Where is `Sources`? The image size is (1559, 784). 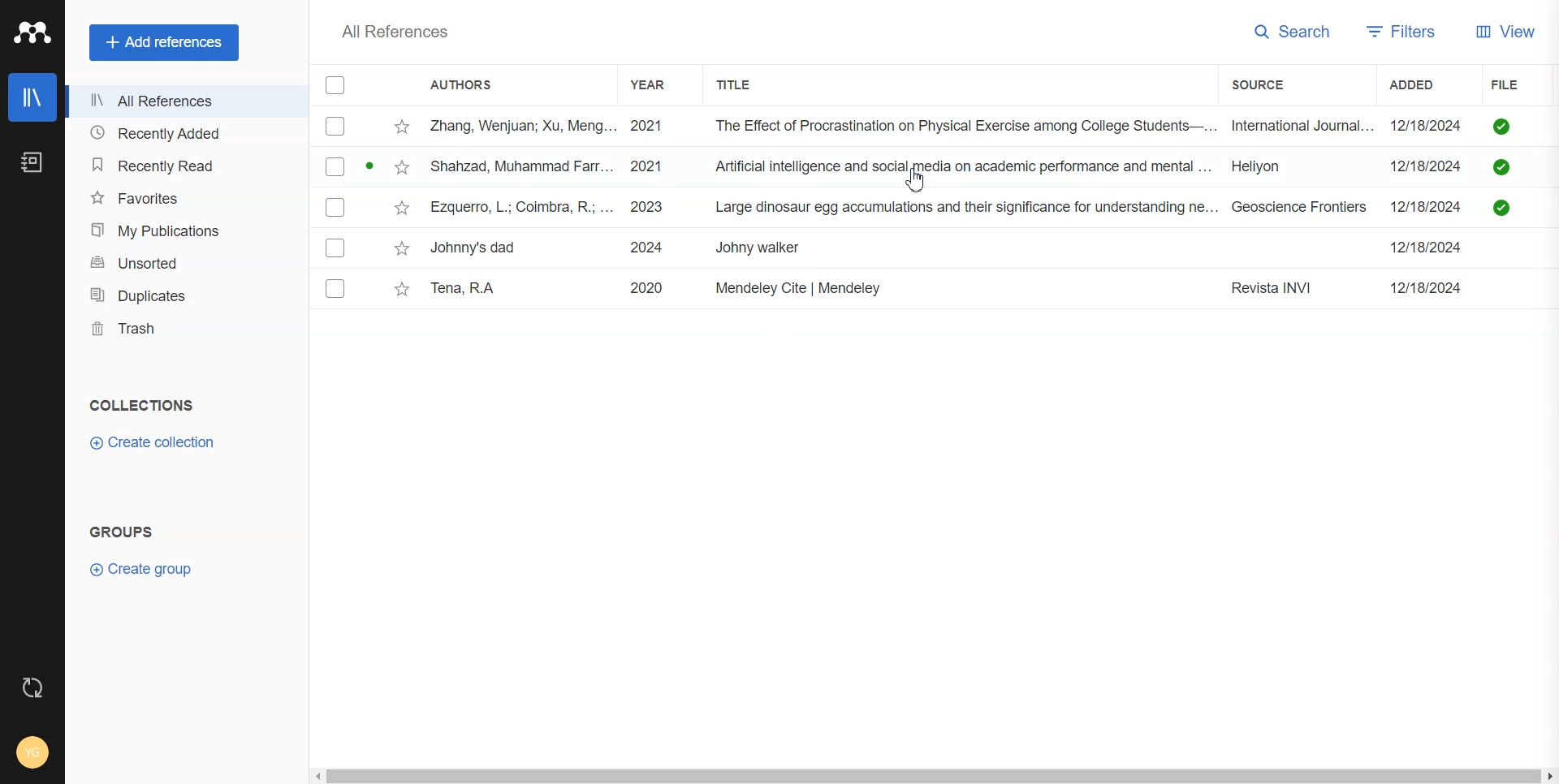
Sources is located at coordinates (1272, 84).